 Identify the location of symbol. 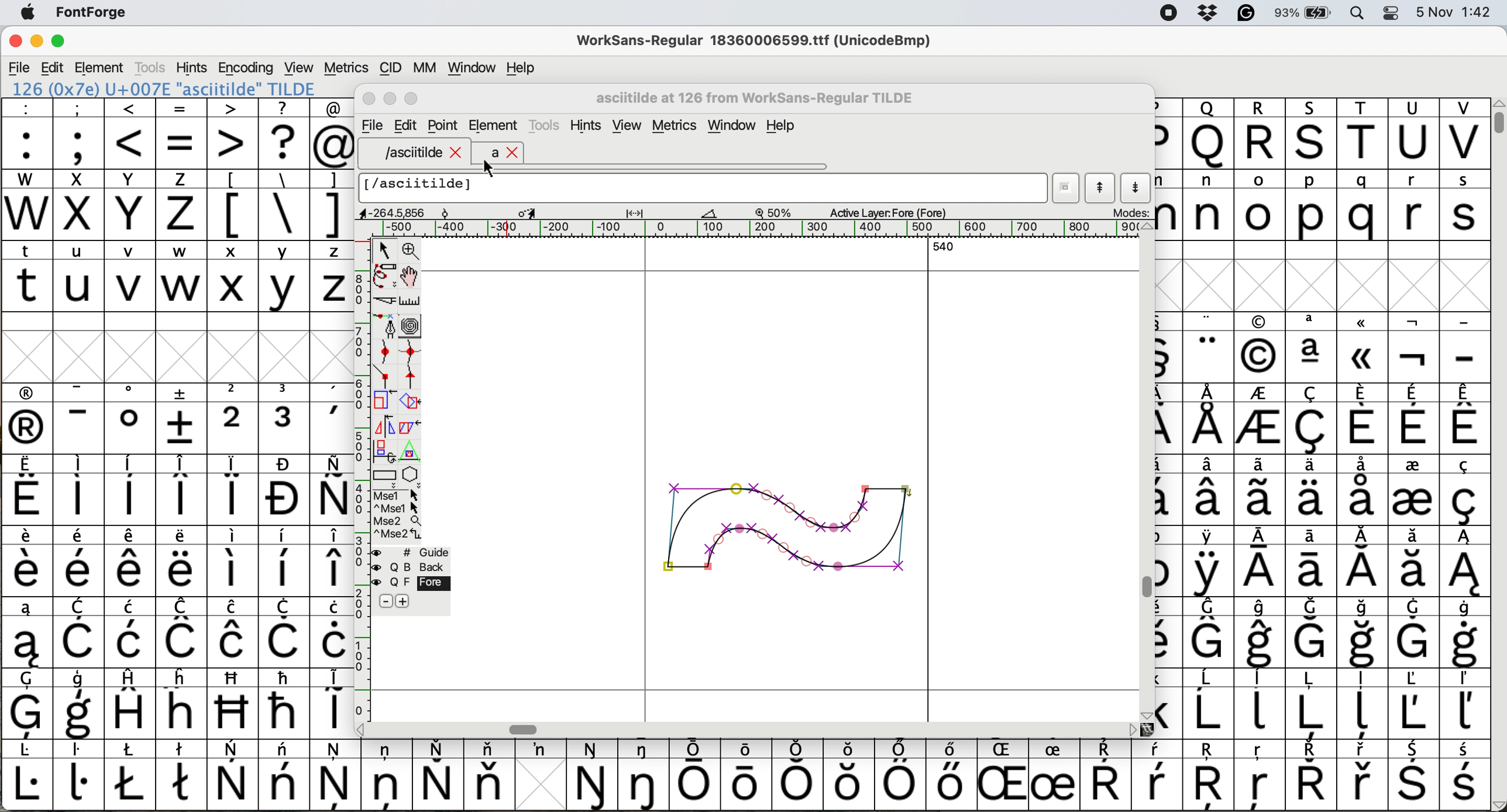
(331, 490).